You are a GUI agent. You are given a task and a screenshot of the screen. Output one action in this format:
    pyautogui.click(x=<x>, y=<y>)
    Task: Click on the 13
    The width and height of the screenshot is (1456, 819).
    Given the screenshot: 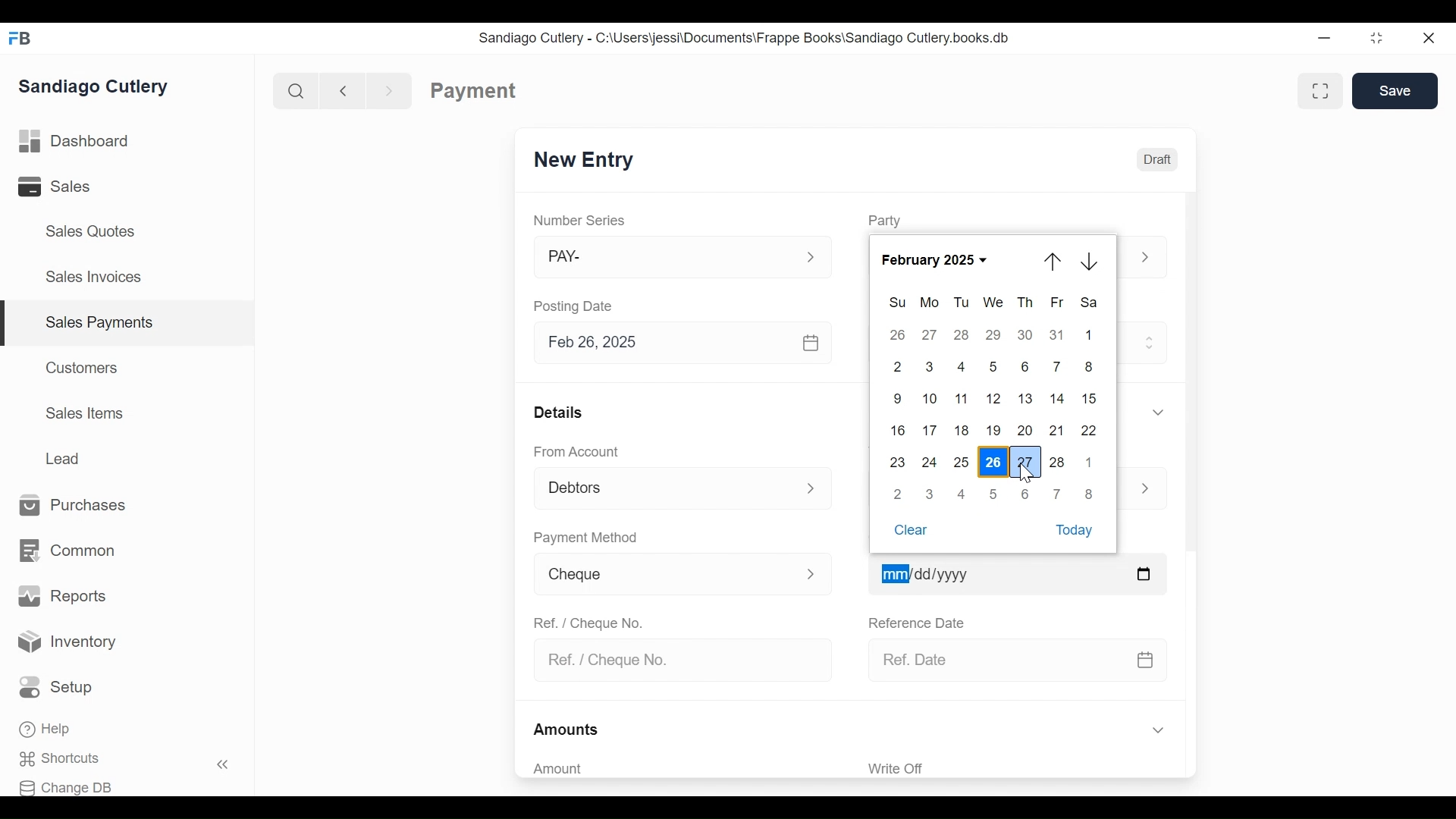 What is the action you would take?
    pyautogui.click(x=1026, y=399)
    